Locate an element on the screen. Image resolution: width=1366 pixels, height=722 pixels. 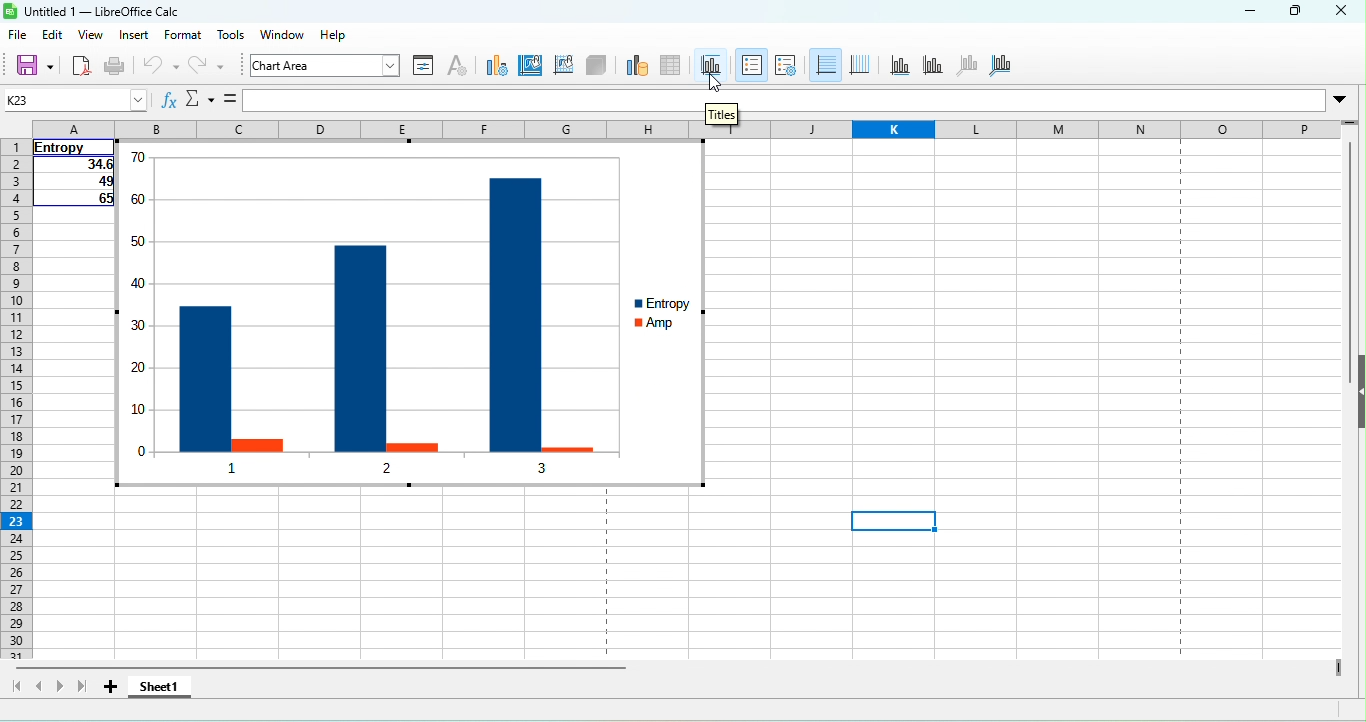
scroll to last sheet is located at coordinates (82, 687).